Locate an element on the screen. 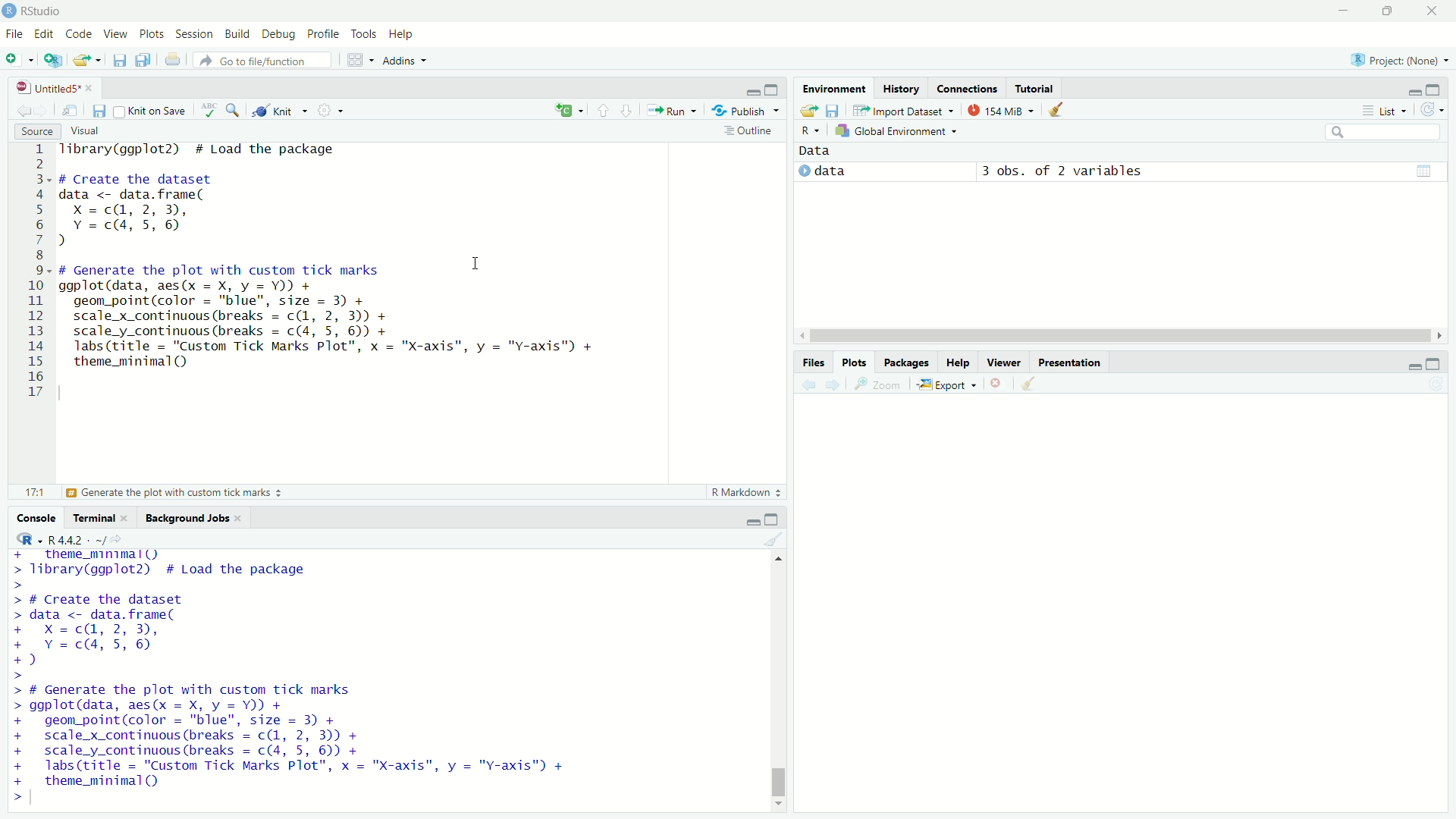  history is located at coordinates (899, 87).